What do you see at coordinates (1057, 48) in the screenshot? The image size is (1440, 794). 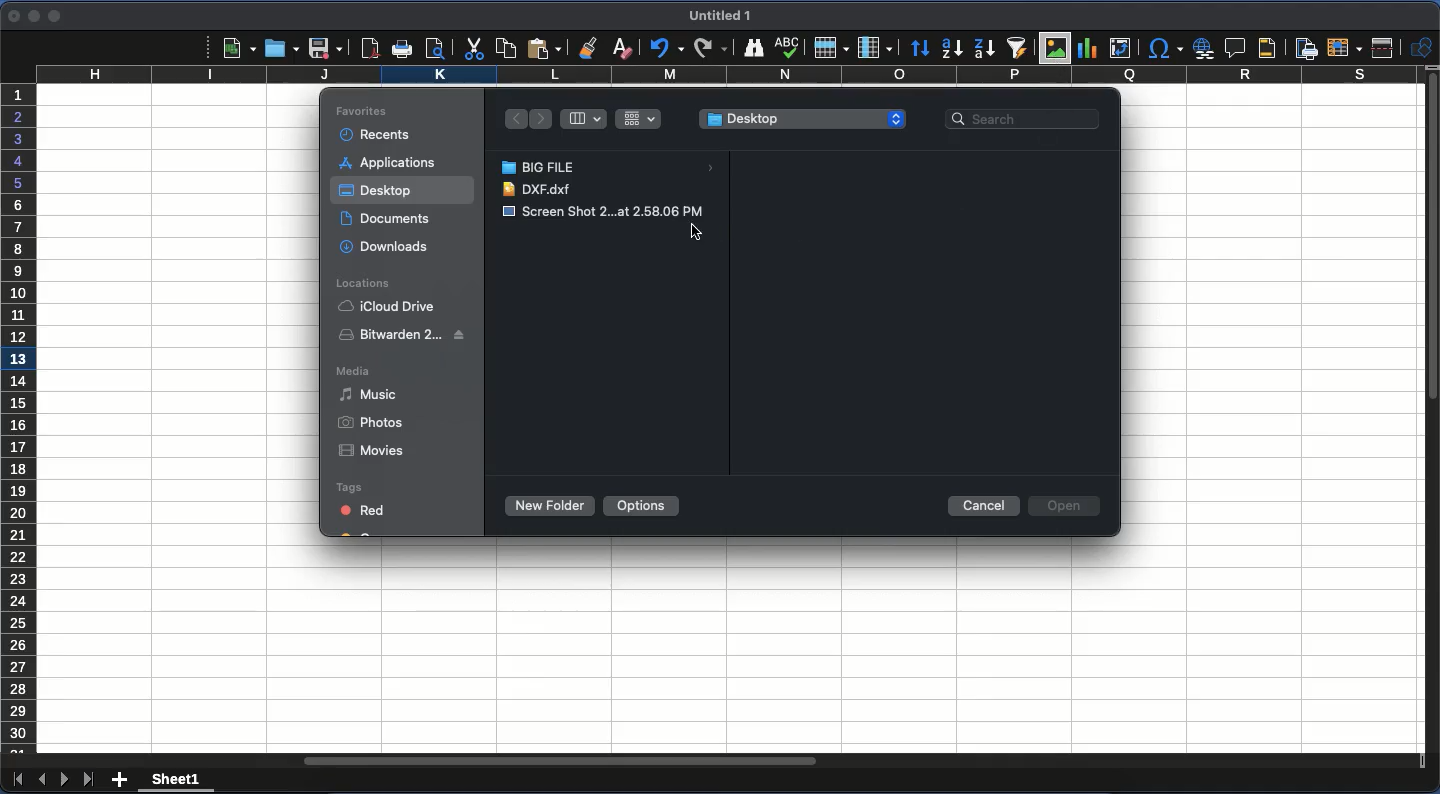 I see `image` at bounding box center [1057, 48].